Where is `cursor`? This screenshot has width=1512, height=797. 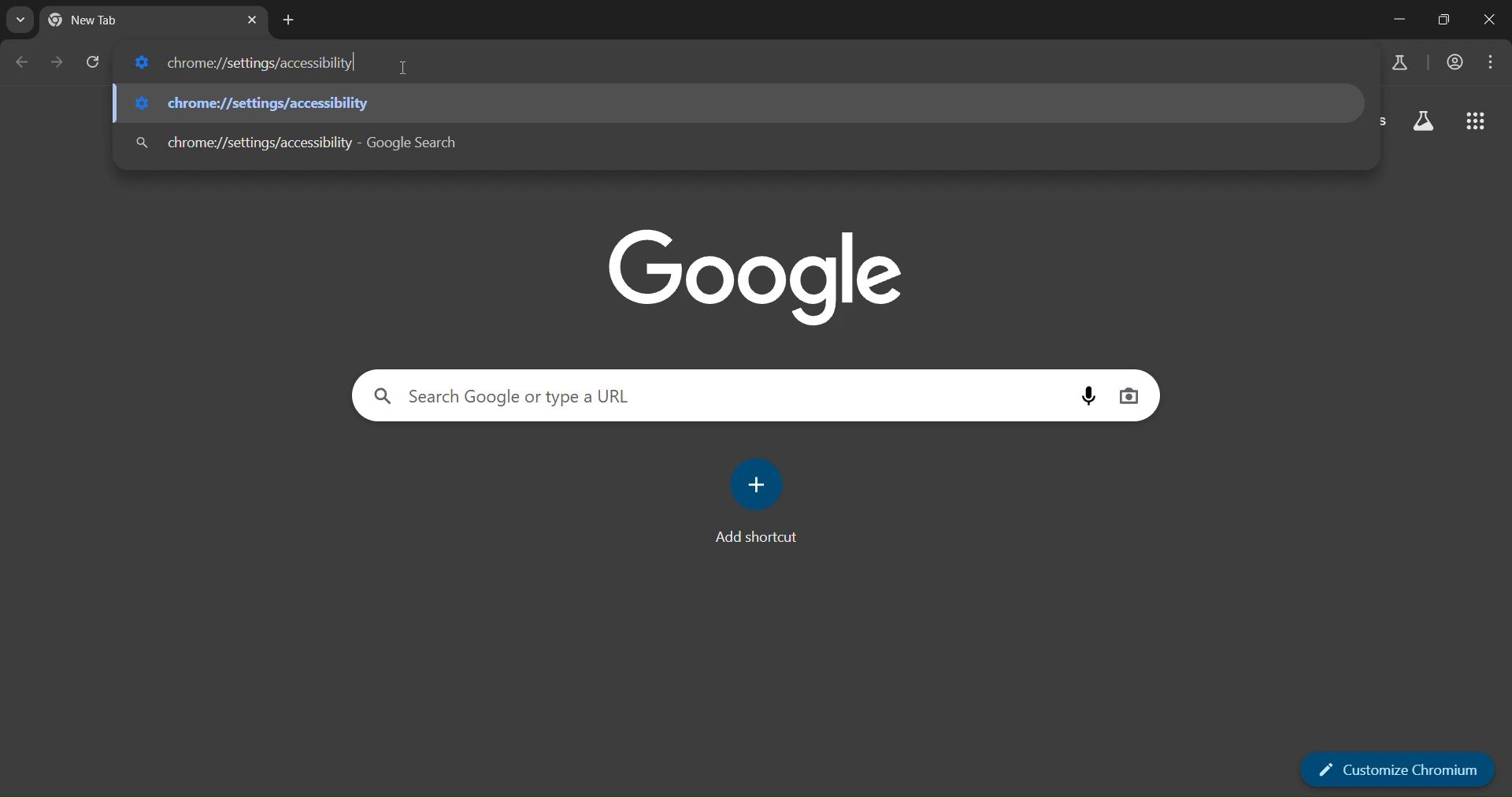
cursor is located at coordinates (405, 71).